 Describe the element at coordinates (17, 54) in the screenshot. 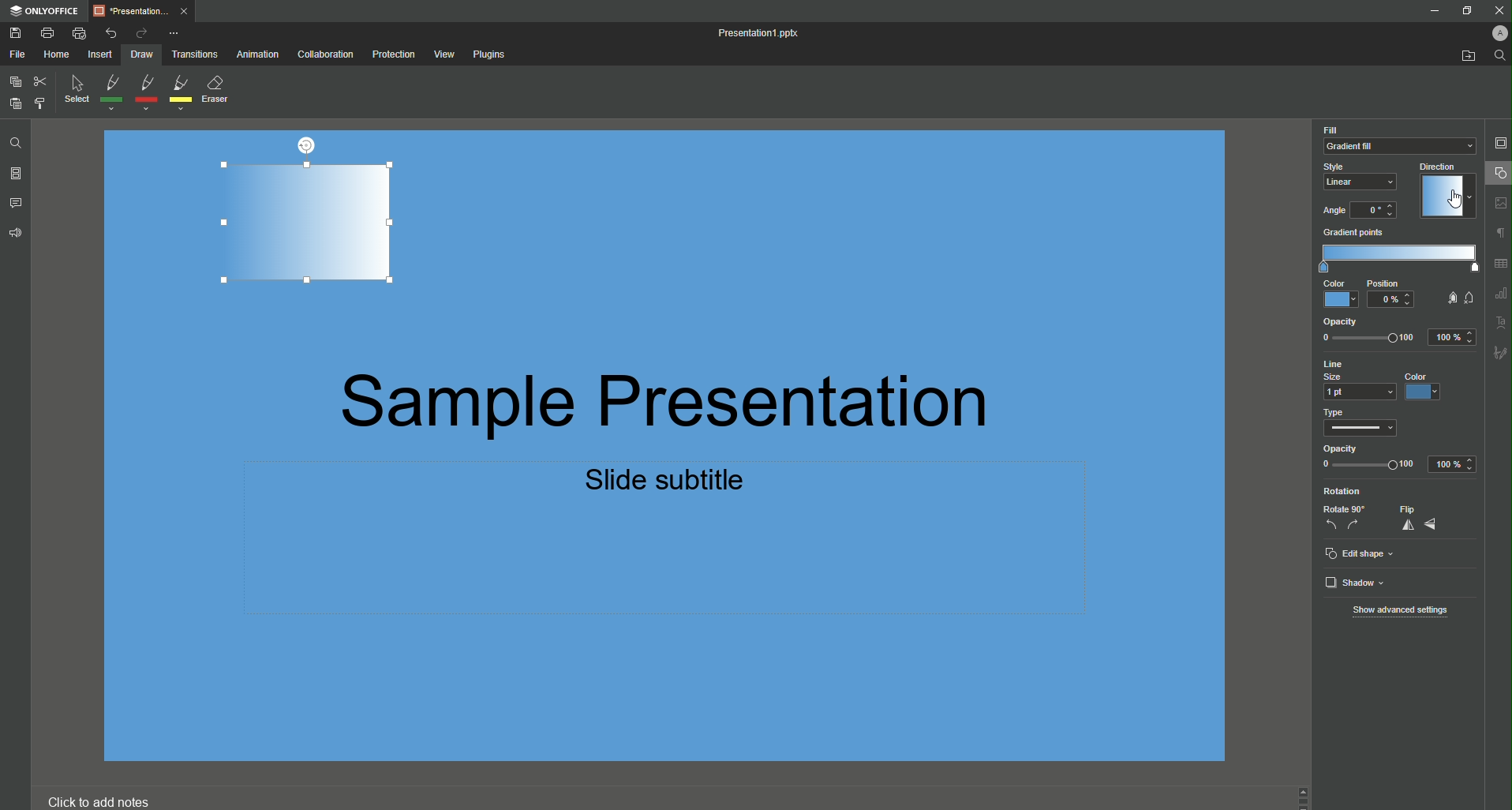

I see `File` at that location.